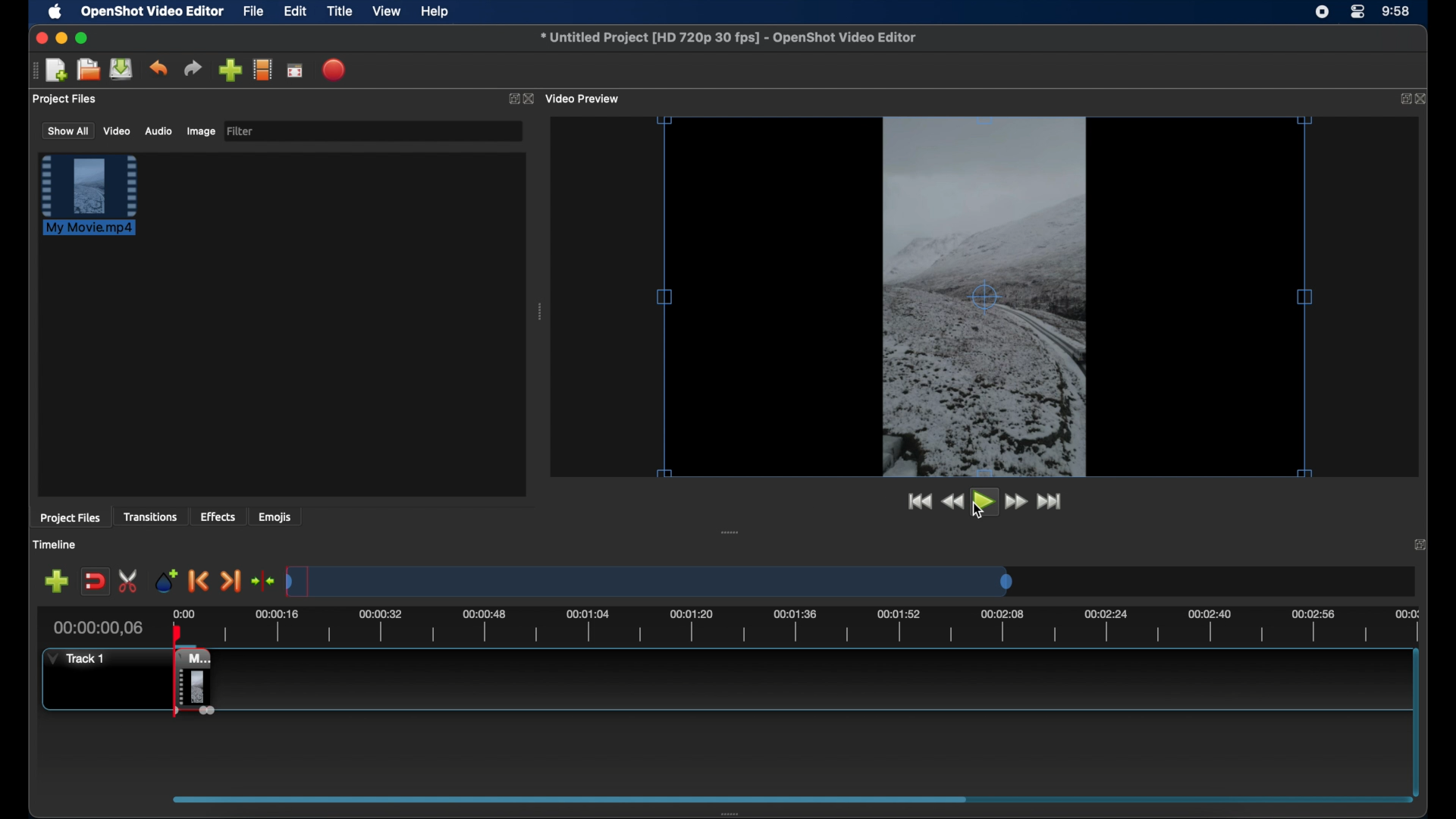 The image size is (1456, 819). Describe the element at coordinates (985, 502) in the screenshot. I see `play button highlighted` at that location.